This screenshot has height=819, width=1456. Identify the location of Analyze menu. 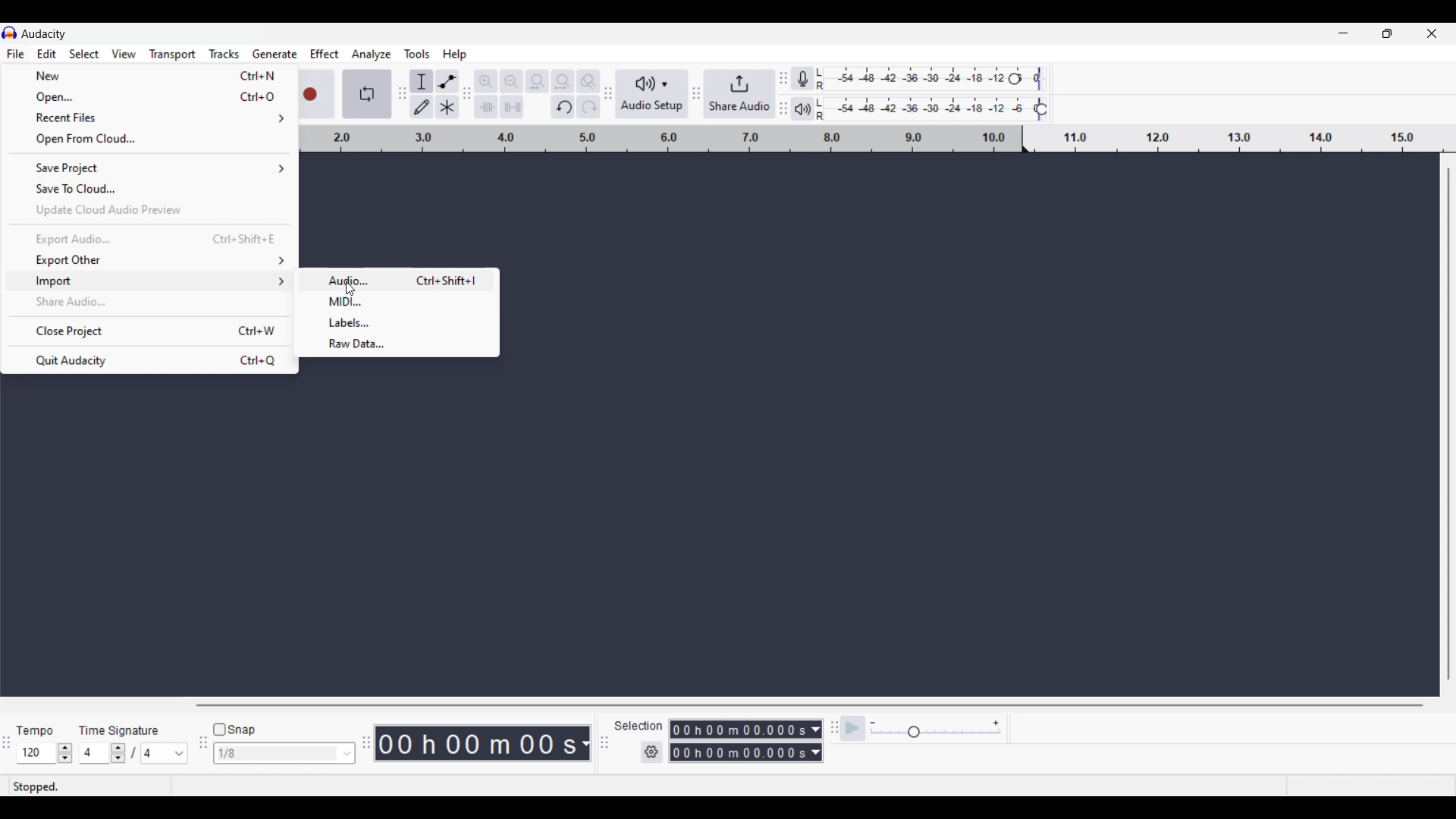
(371, 55).